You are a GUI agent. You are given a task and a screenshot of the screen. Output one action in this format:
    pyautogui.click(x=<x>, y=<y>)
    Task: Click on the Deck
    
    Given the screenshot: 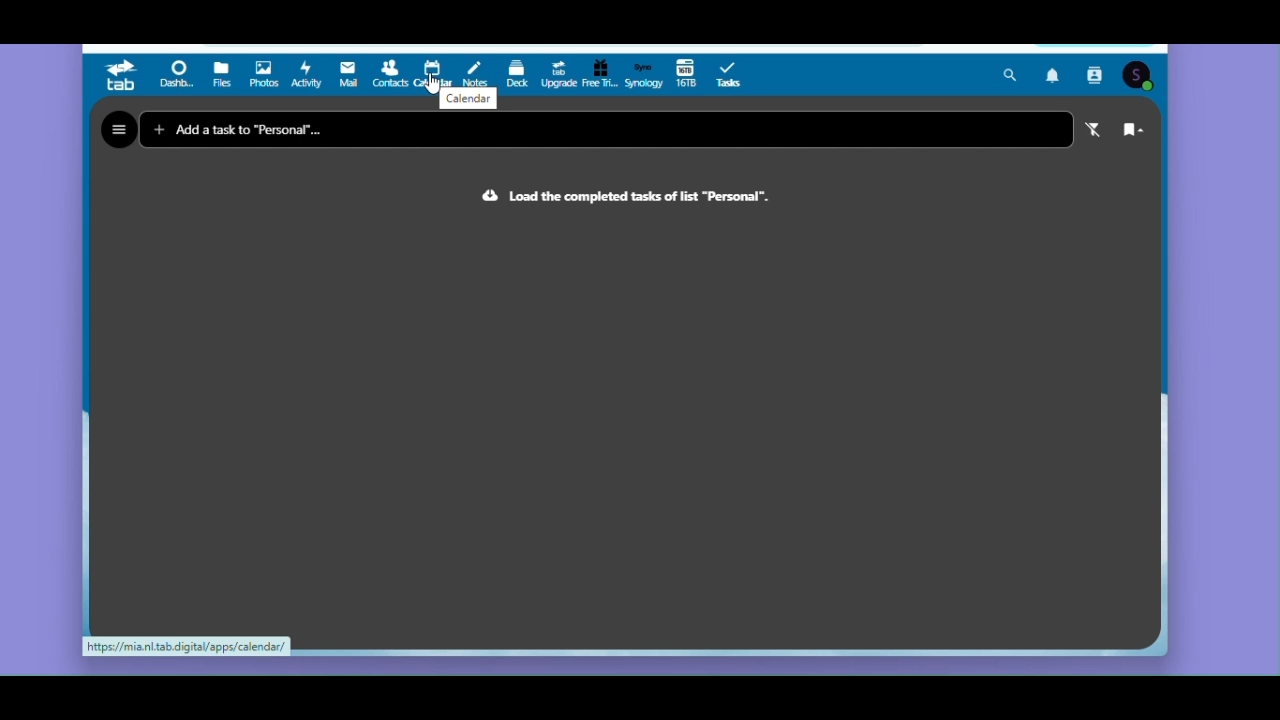 What is the action you would take?
    pyautogui.click(x=518, y=75)
    